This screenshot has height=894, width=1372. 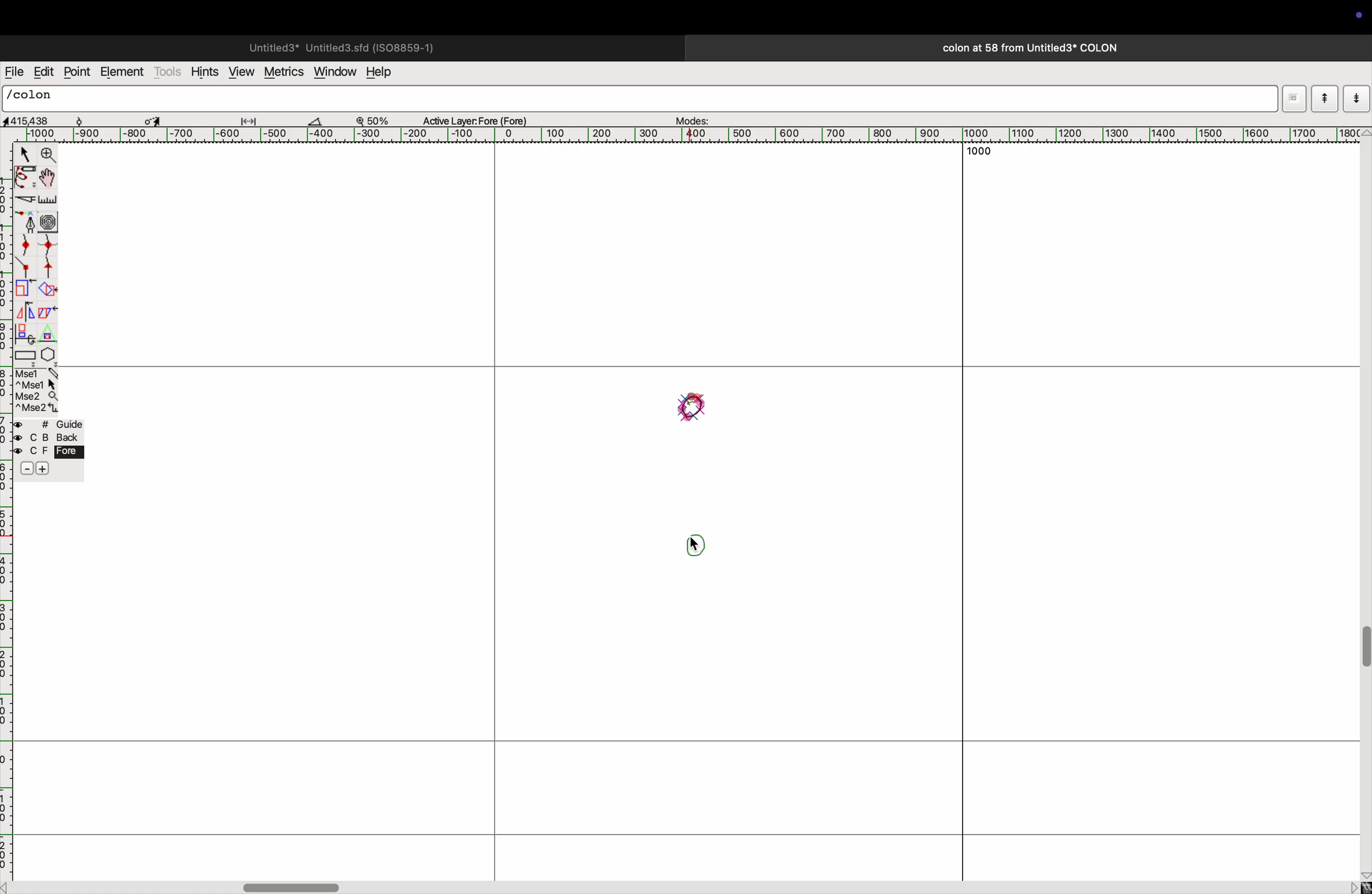 What do you see at coordinates (35, 390) in the screenshot?
I see `mse ` at bounding box center [35, 390].